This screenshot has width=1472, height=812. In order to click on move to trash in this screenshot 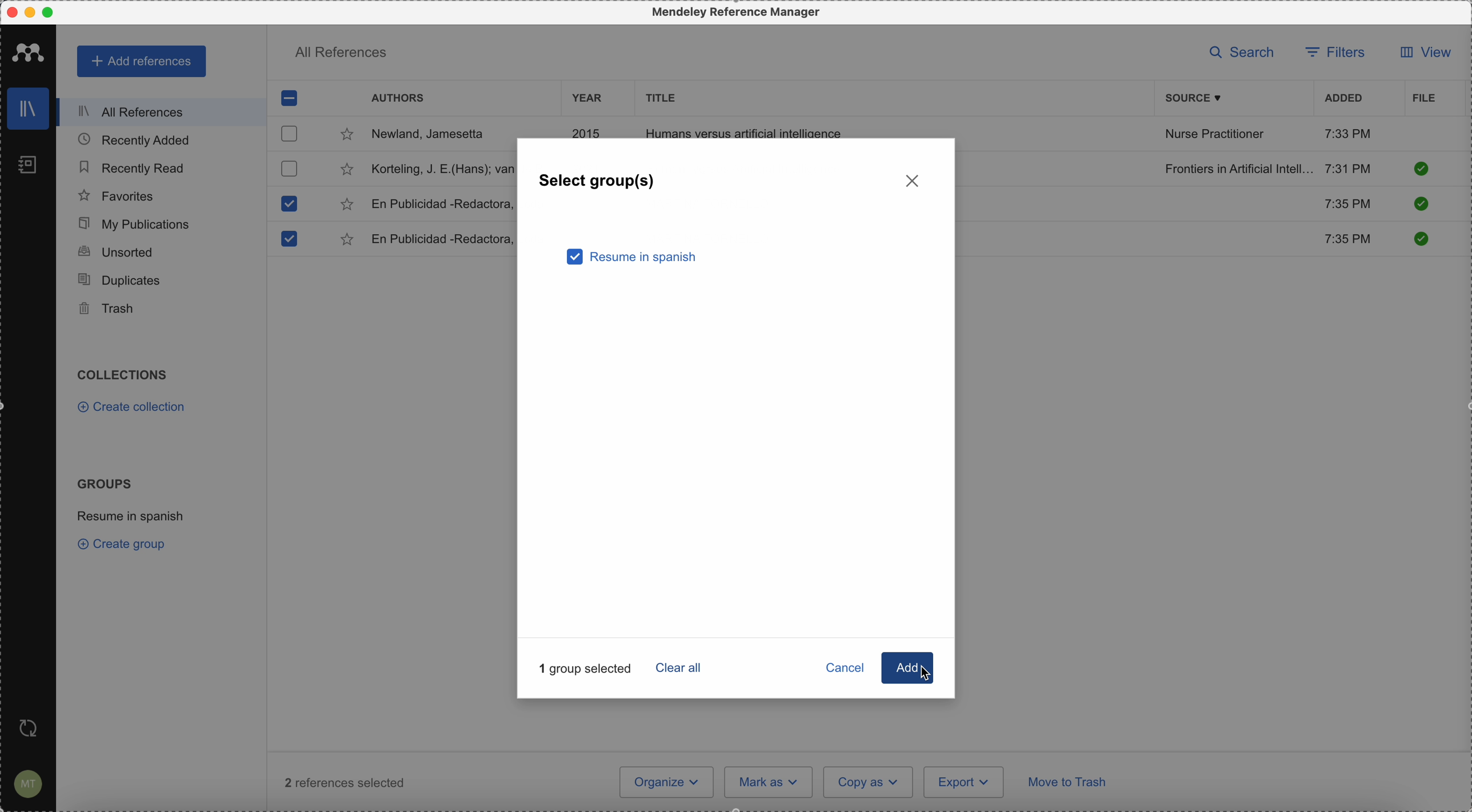, I will do `click(1069, 784)`.